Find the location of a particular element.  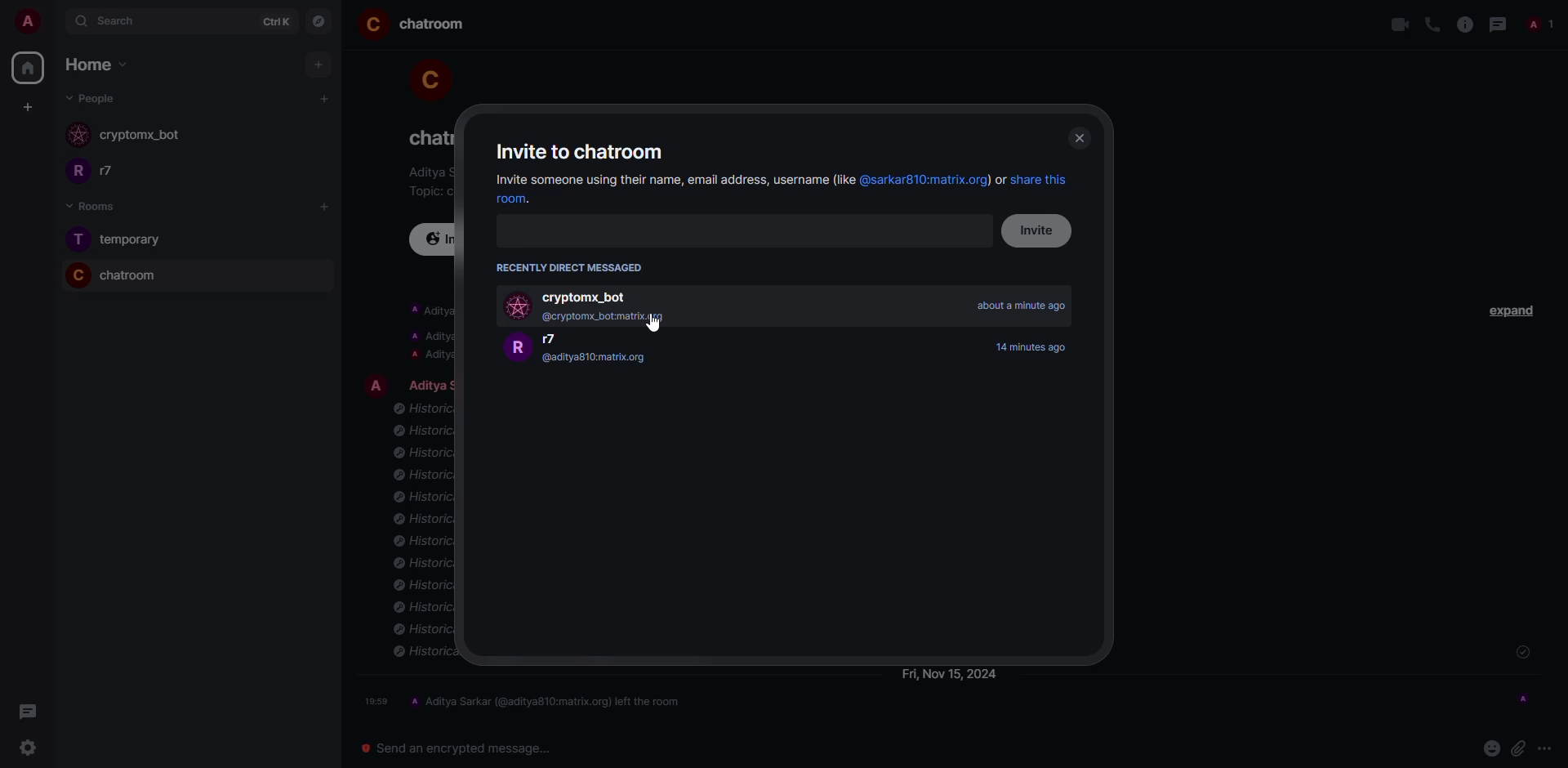

recently is located at coordinates (572, 267).